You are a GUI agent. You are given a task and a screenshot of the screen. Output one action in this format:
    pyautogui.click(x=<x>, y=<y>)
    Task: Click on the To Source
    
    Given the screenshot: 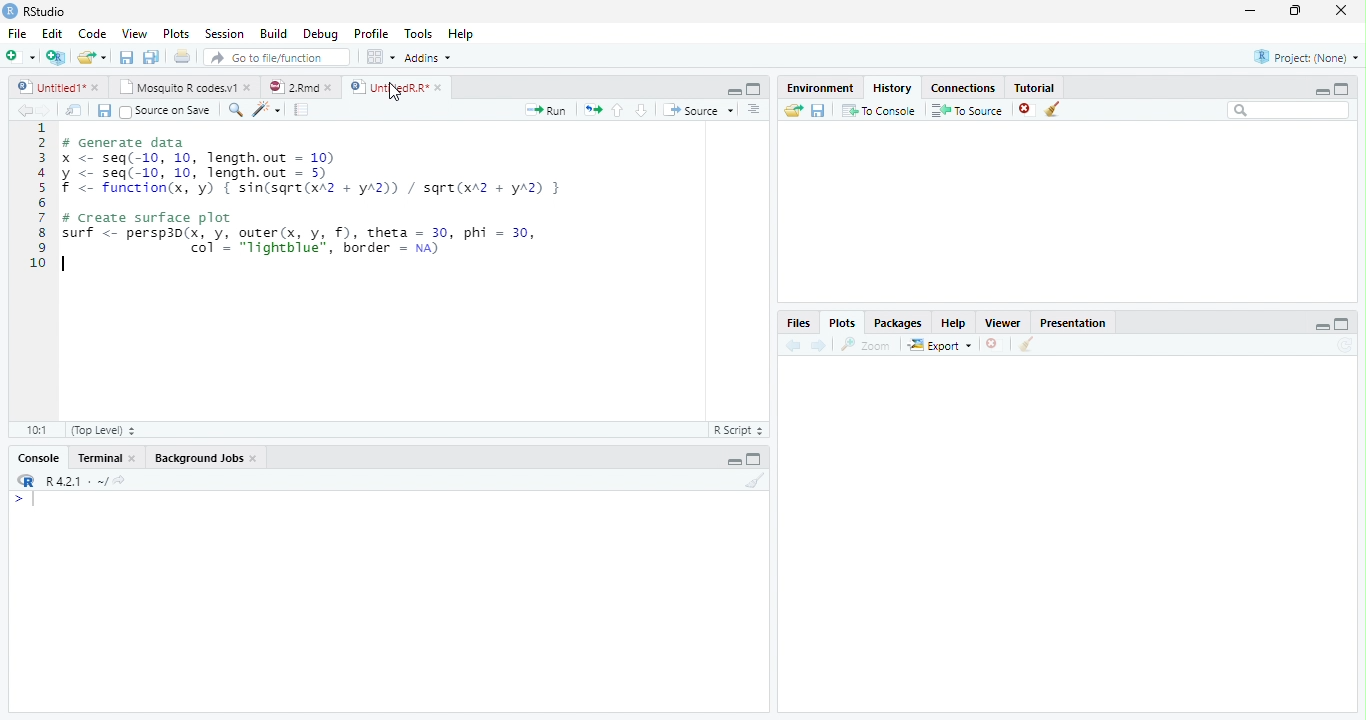 What is the action you would take?
    pyautogui.click(x=966, y=110)
    